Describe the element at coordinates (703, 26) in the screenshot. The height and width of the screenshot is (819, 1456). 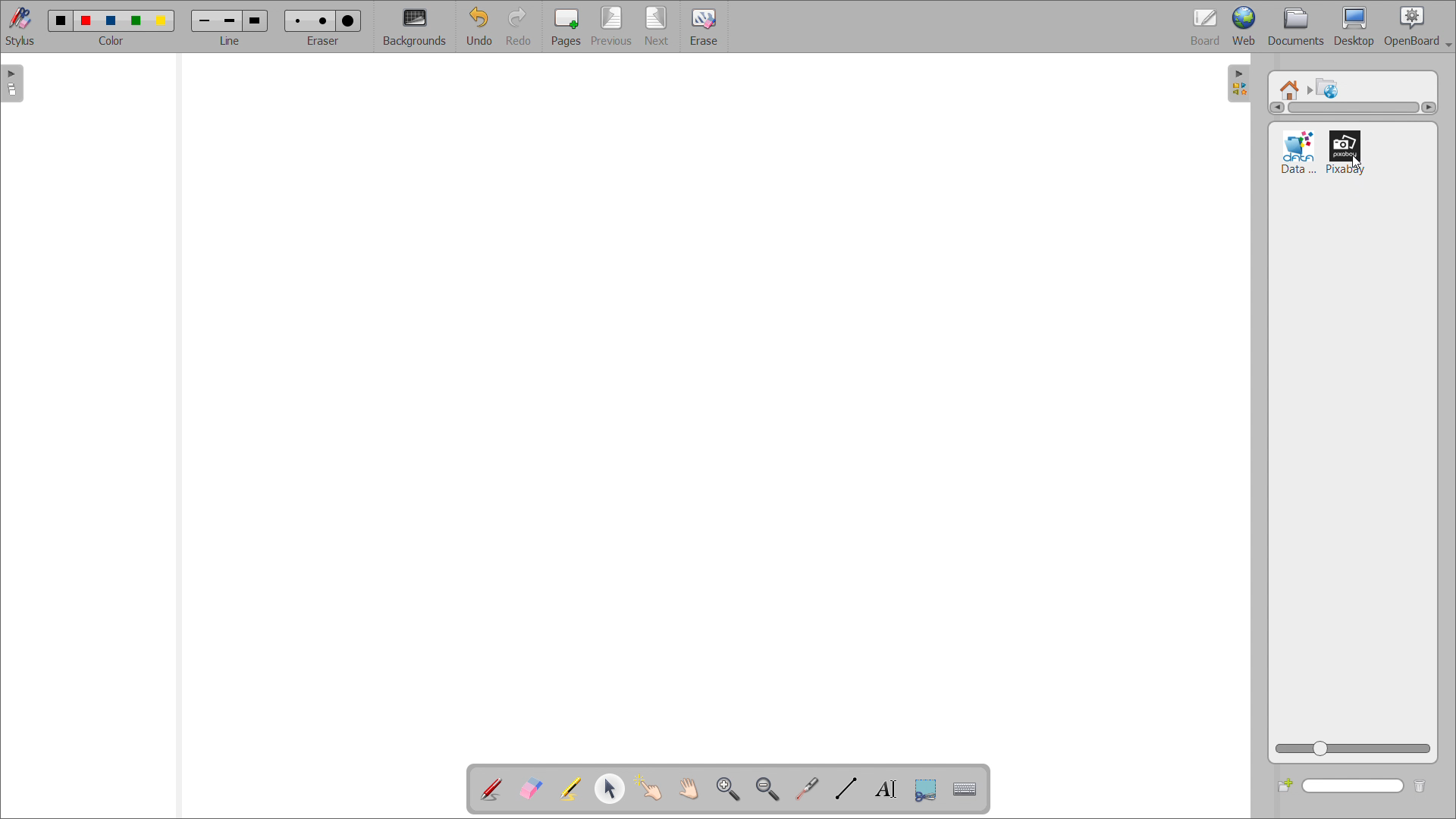
I see `erase` at that location.